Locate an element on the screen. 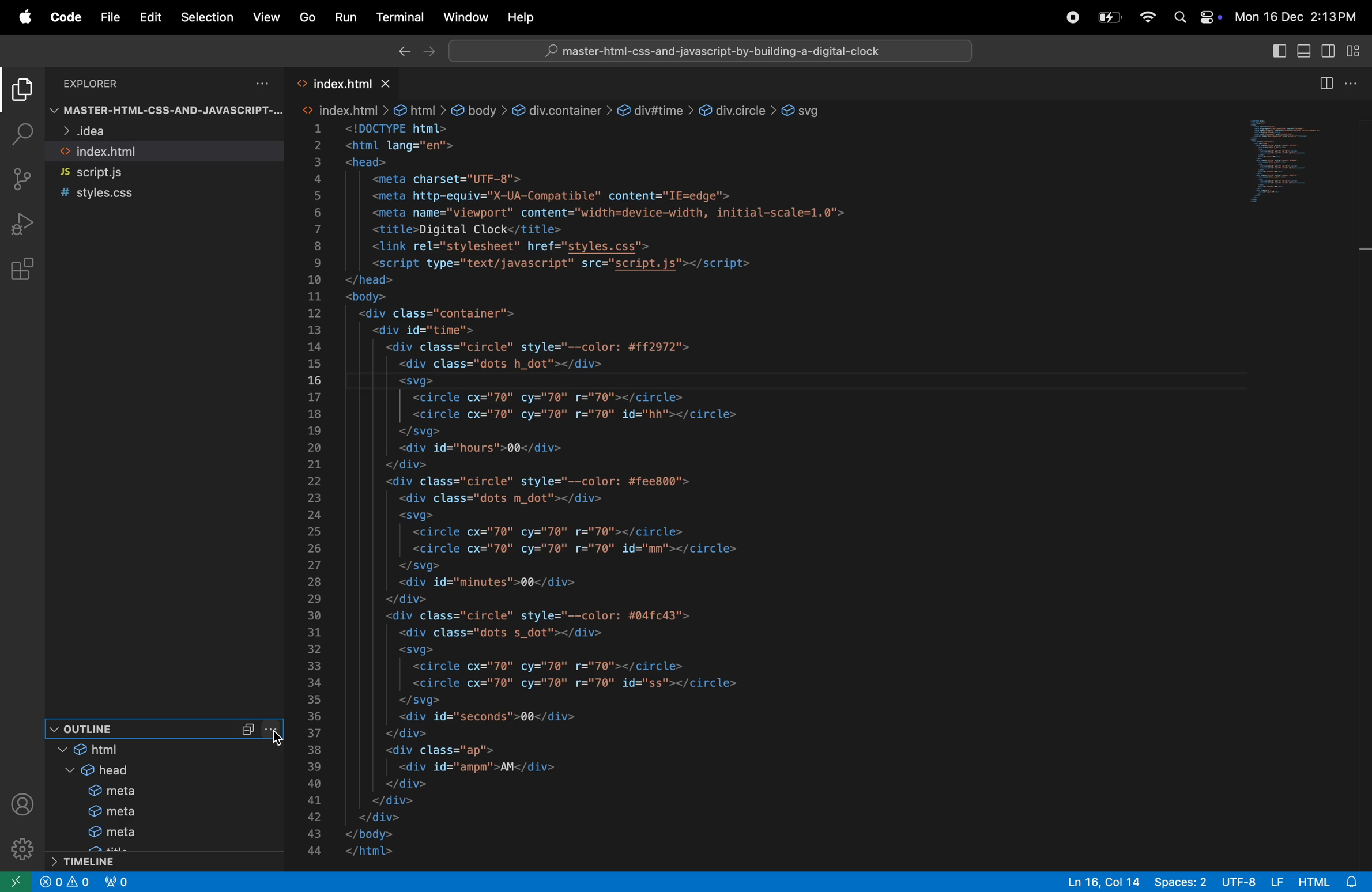  html is located at coordinates (344, 110).